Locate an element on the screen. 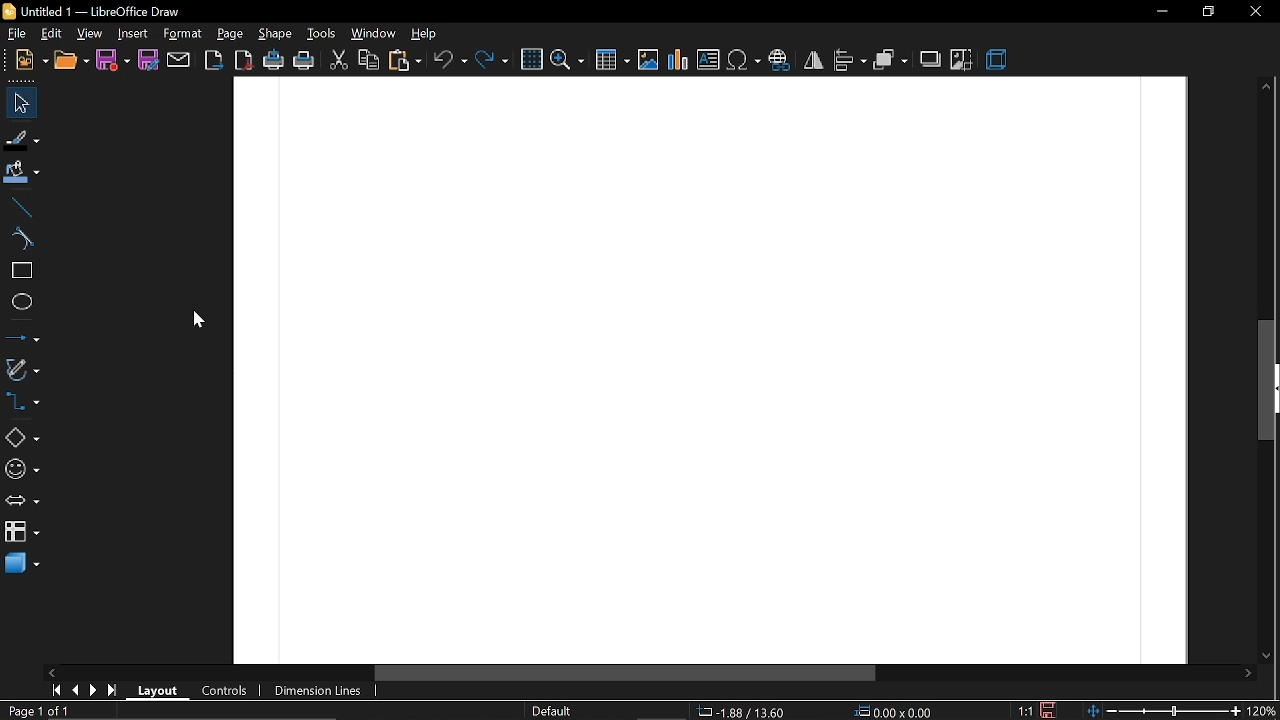 Image resolution: width=1280 pixels, height=720 pixels. curves and polygons is located at coordinates (22, 370).